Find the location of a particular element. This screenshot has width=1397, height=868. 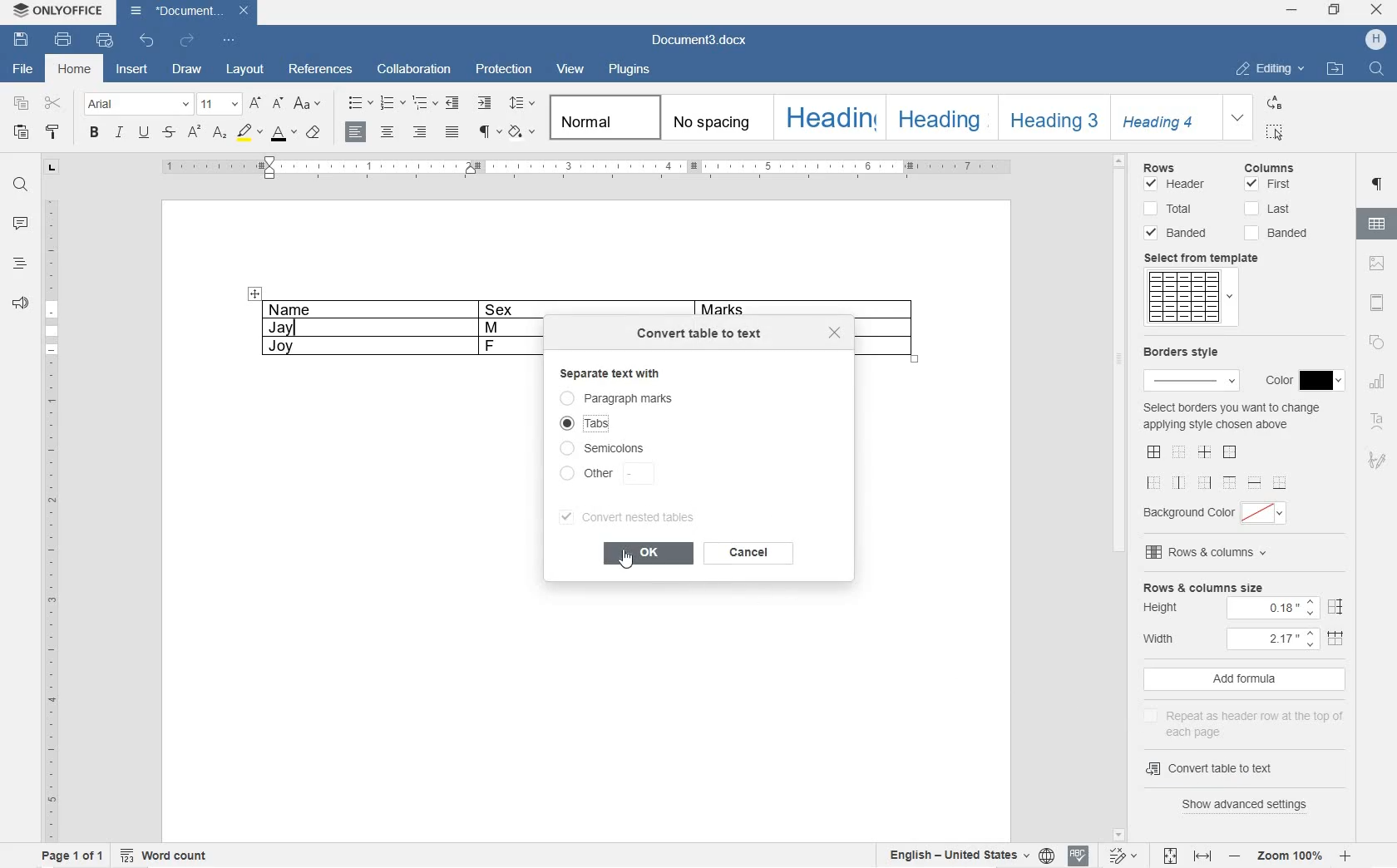

SELECT ALL is located at coordinates (1276, 132).